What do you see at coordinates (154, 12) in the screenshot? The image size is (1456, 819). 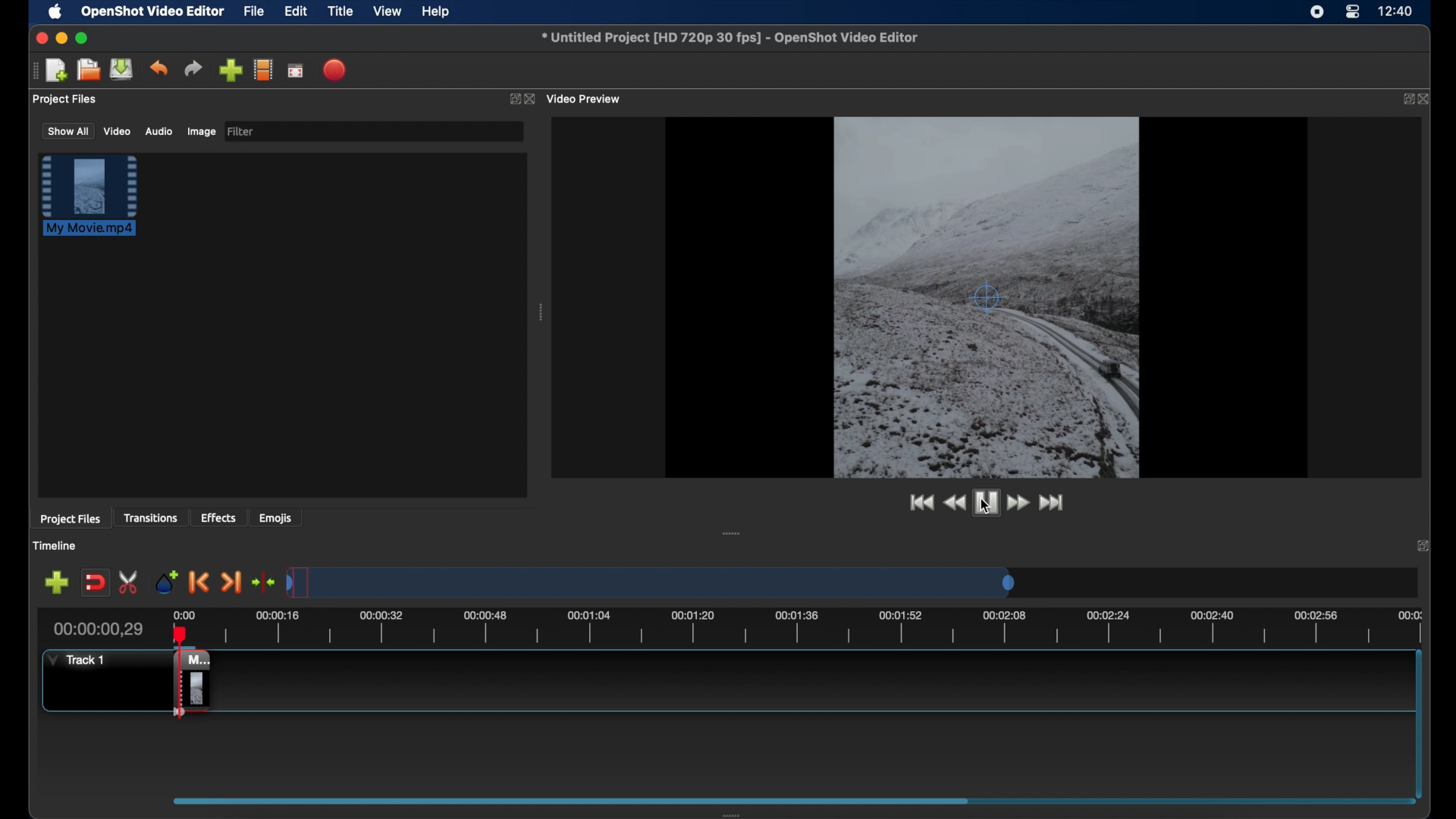 I see `openshot video editor` at bounding box center [154, 12].